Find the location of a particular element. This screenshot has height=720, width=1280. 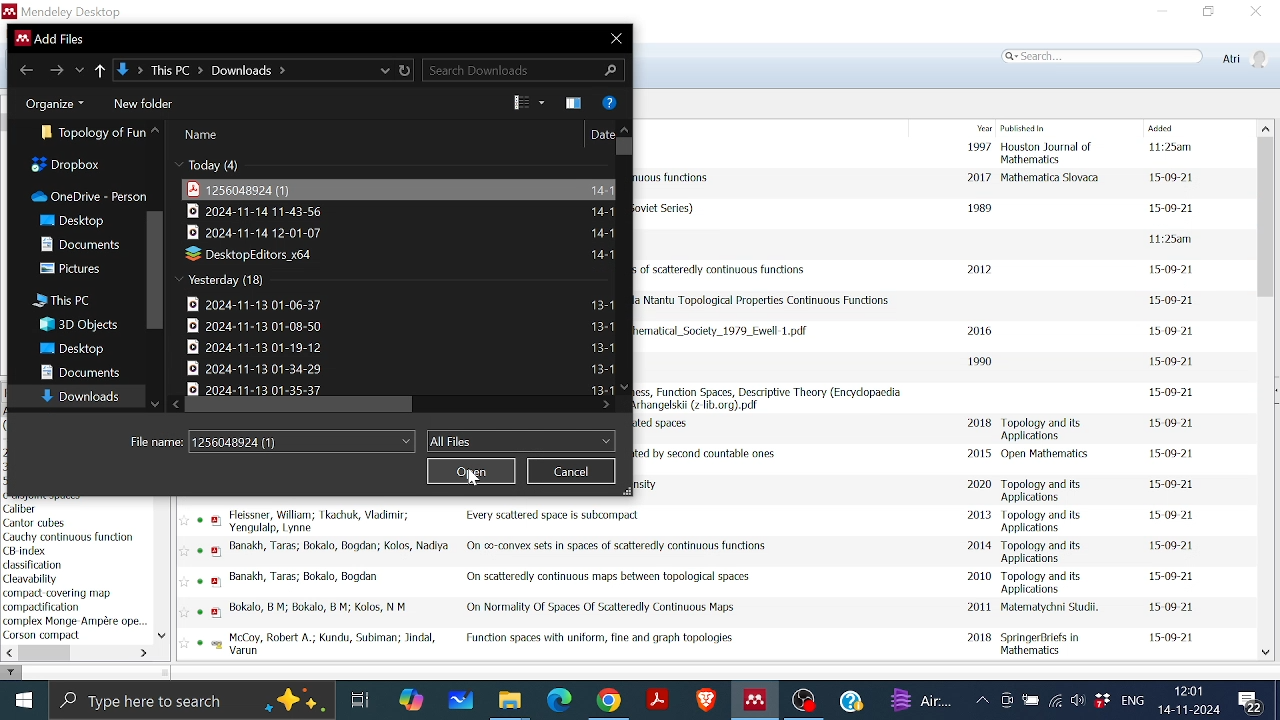

keyword is located at coordinates (31, 552).